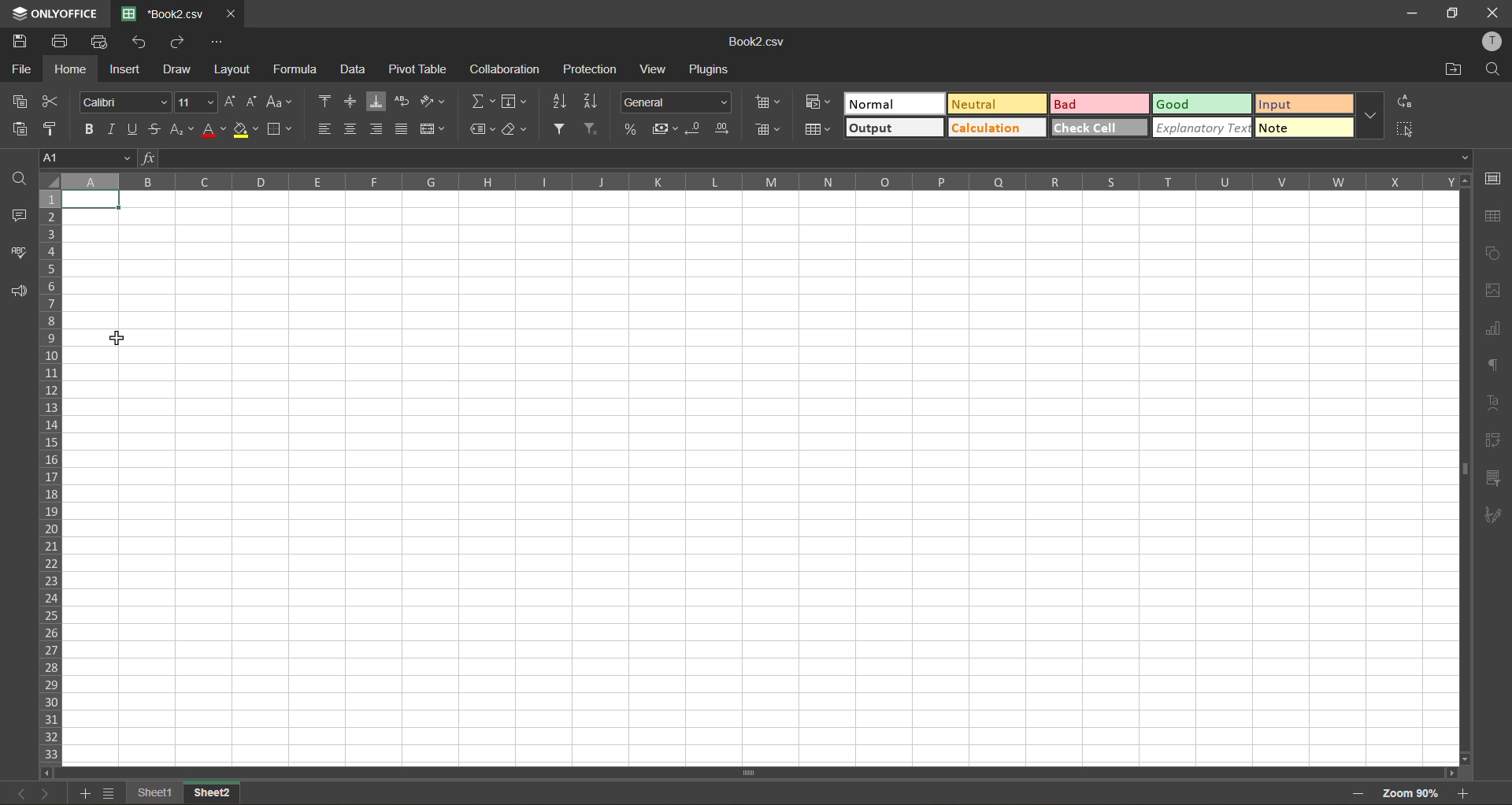  Describe the element at coordinates (1493, 43) in the screenshot. I see `profile` at that location.